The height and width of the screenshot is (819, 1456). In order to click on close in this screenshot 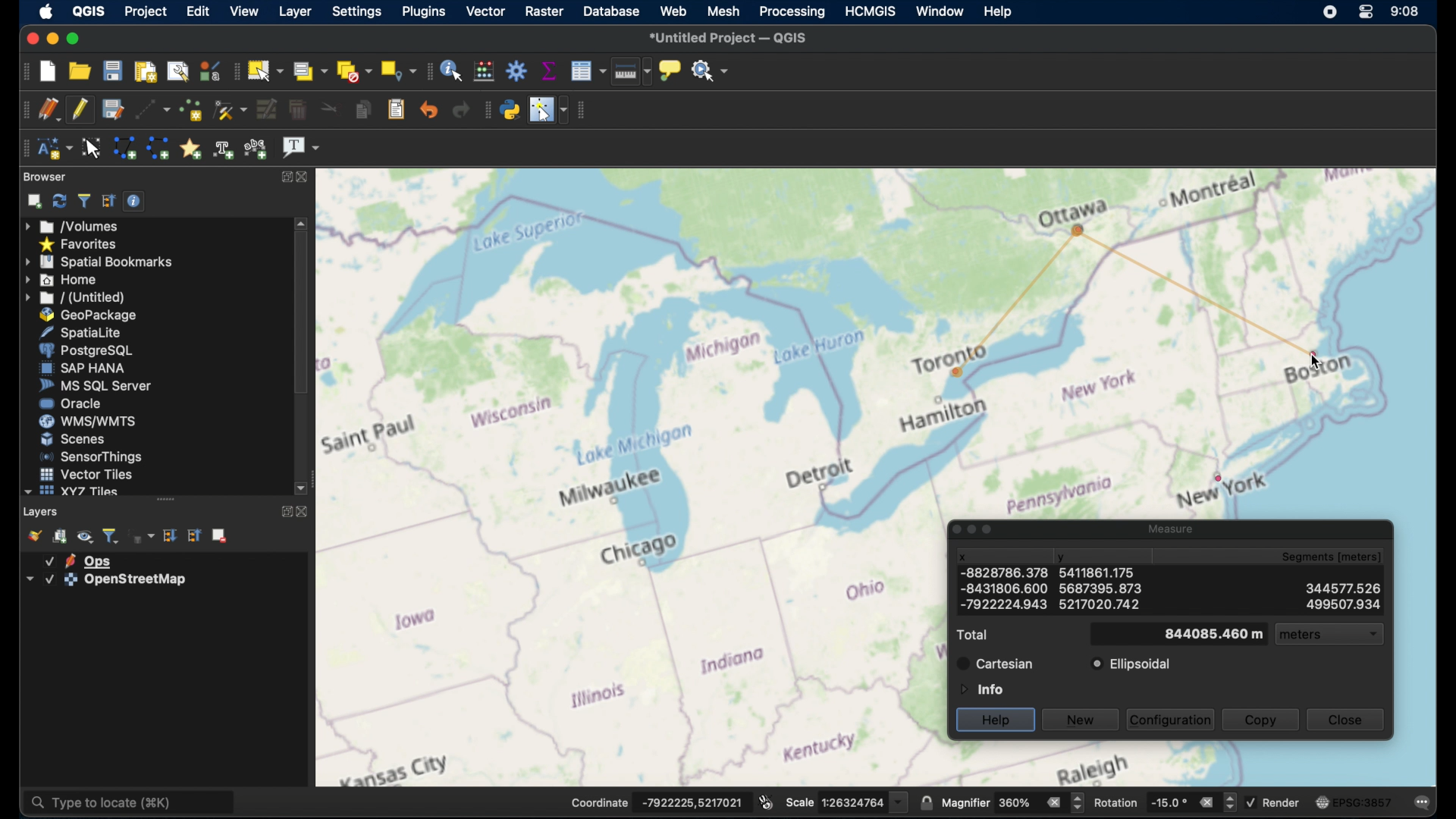, I will do `click(303, 513)`.